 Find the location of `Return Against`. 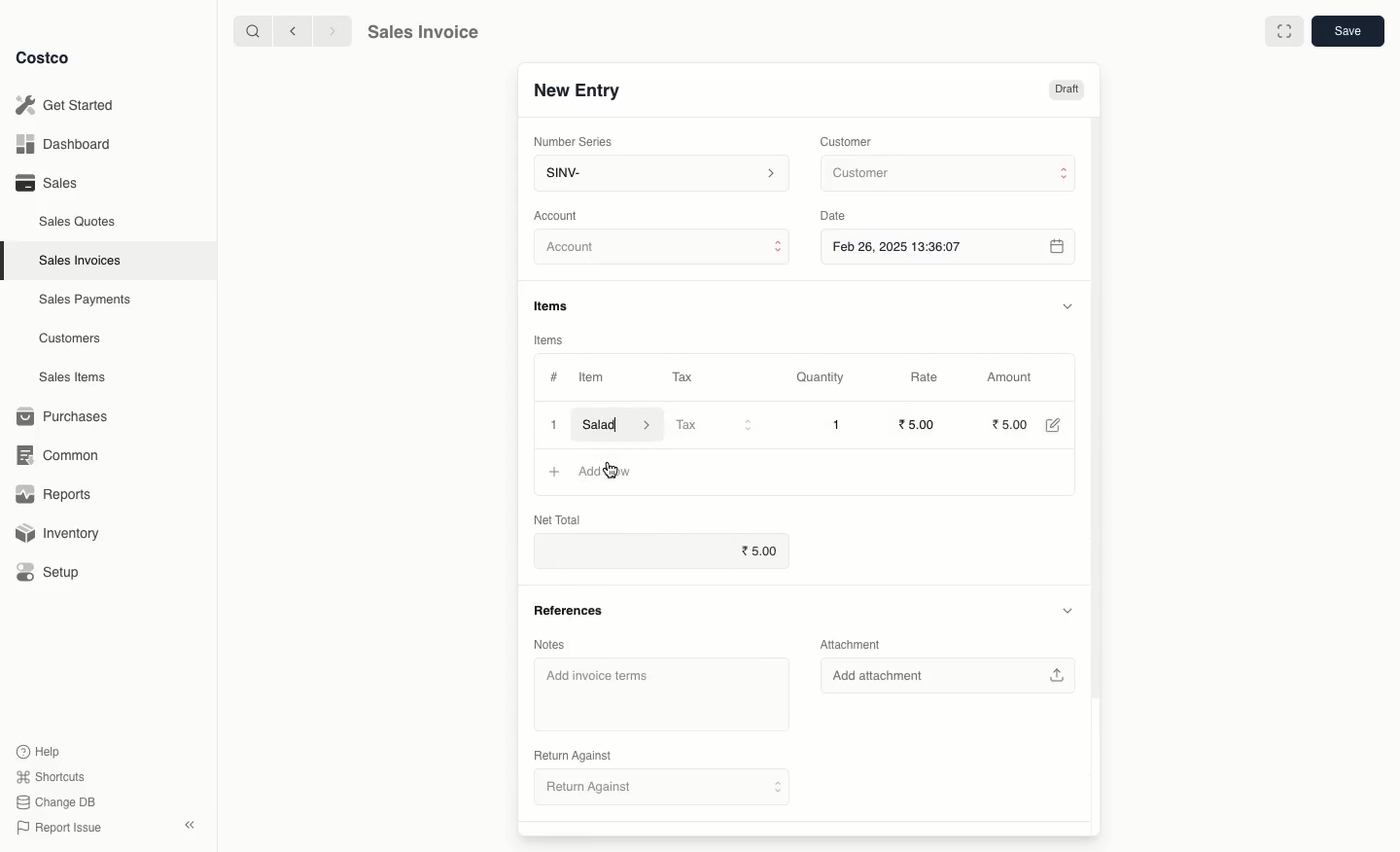

Return Against is located at coordinates (664, 790).